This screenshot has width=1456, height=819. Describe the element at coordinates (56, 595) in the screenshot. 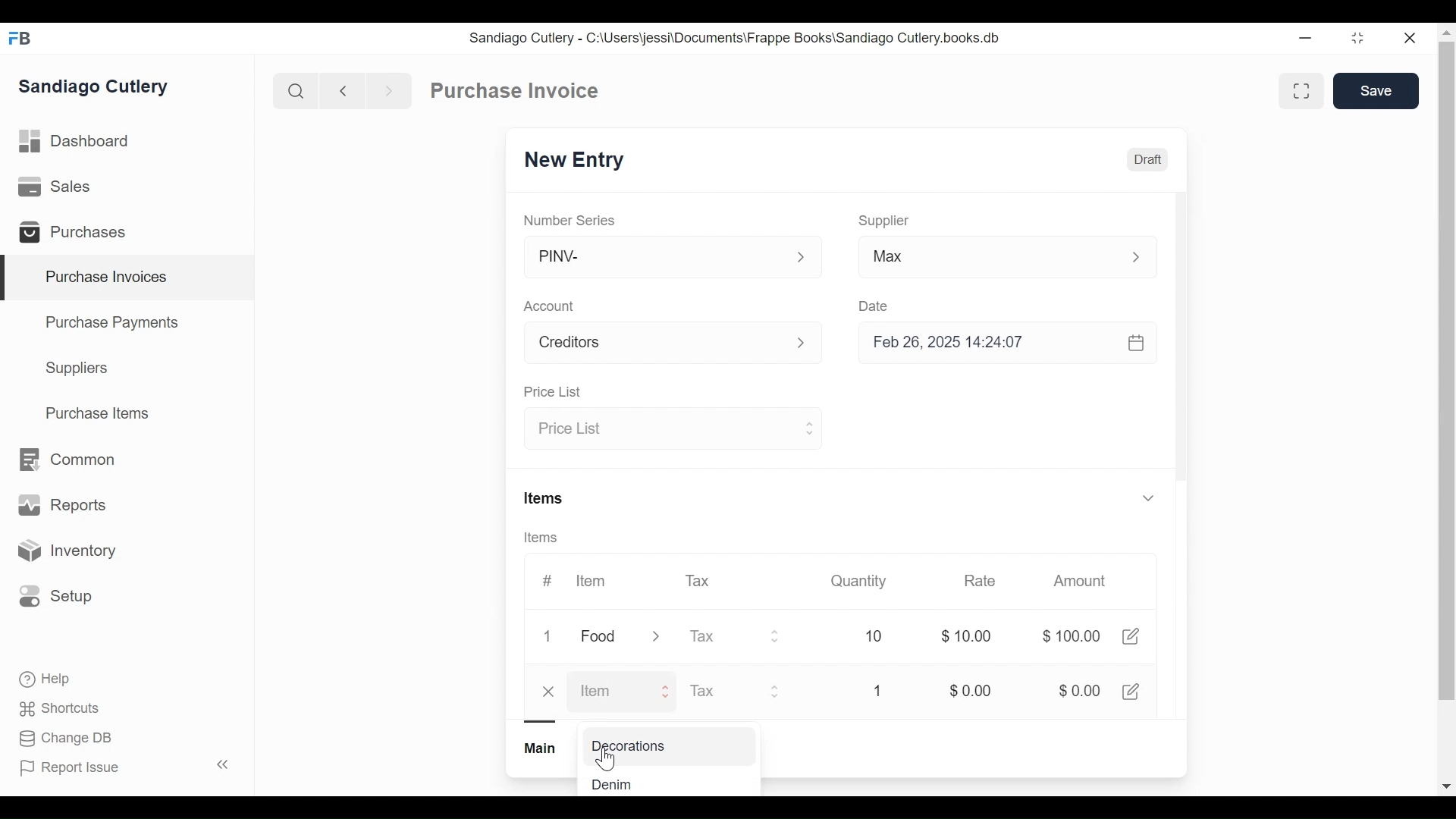

I see `Setup` at that location.